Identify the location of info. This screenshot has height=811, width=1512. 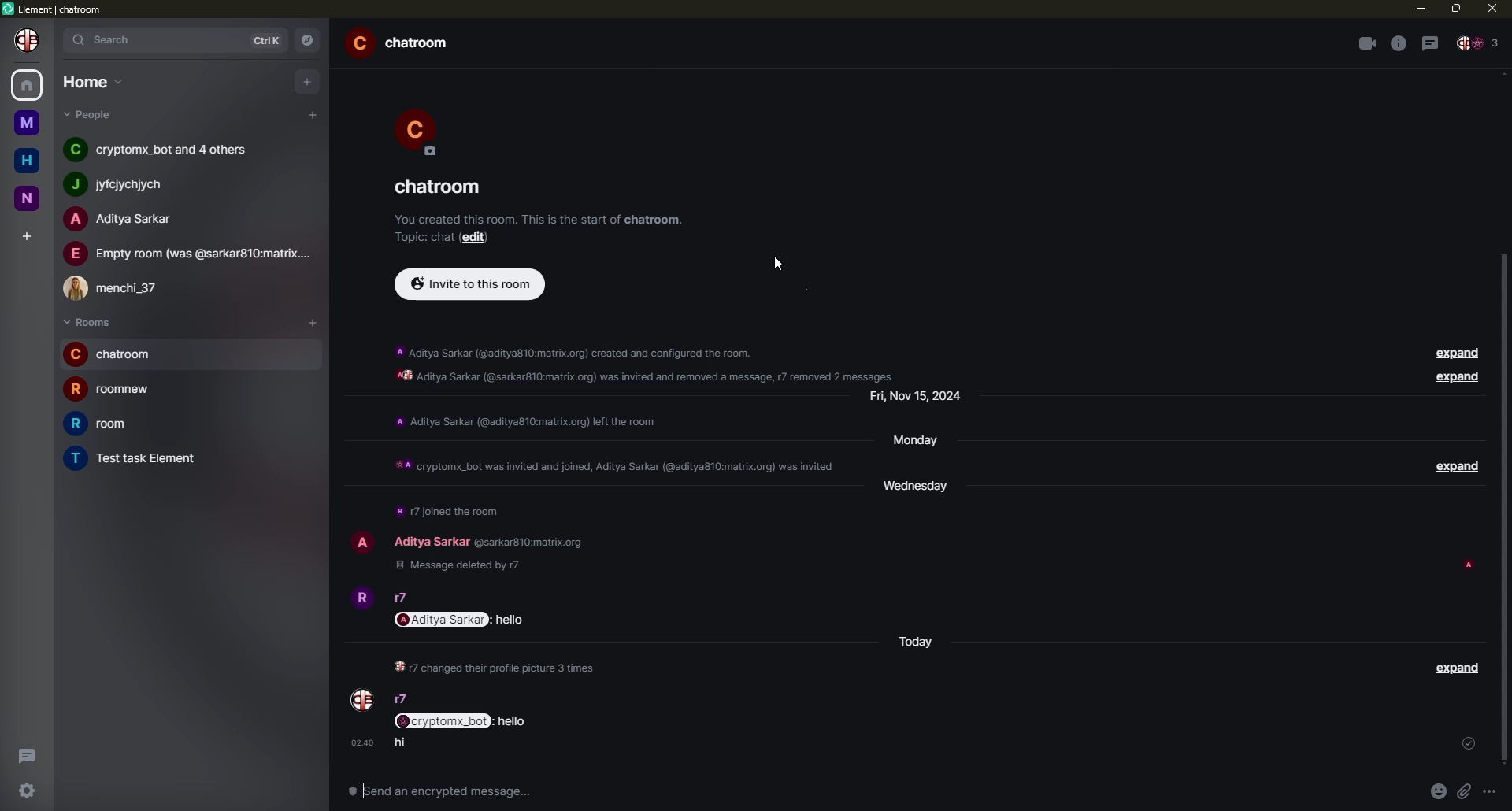
(1397, 43).